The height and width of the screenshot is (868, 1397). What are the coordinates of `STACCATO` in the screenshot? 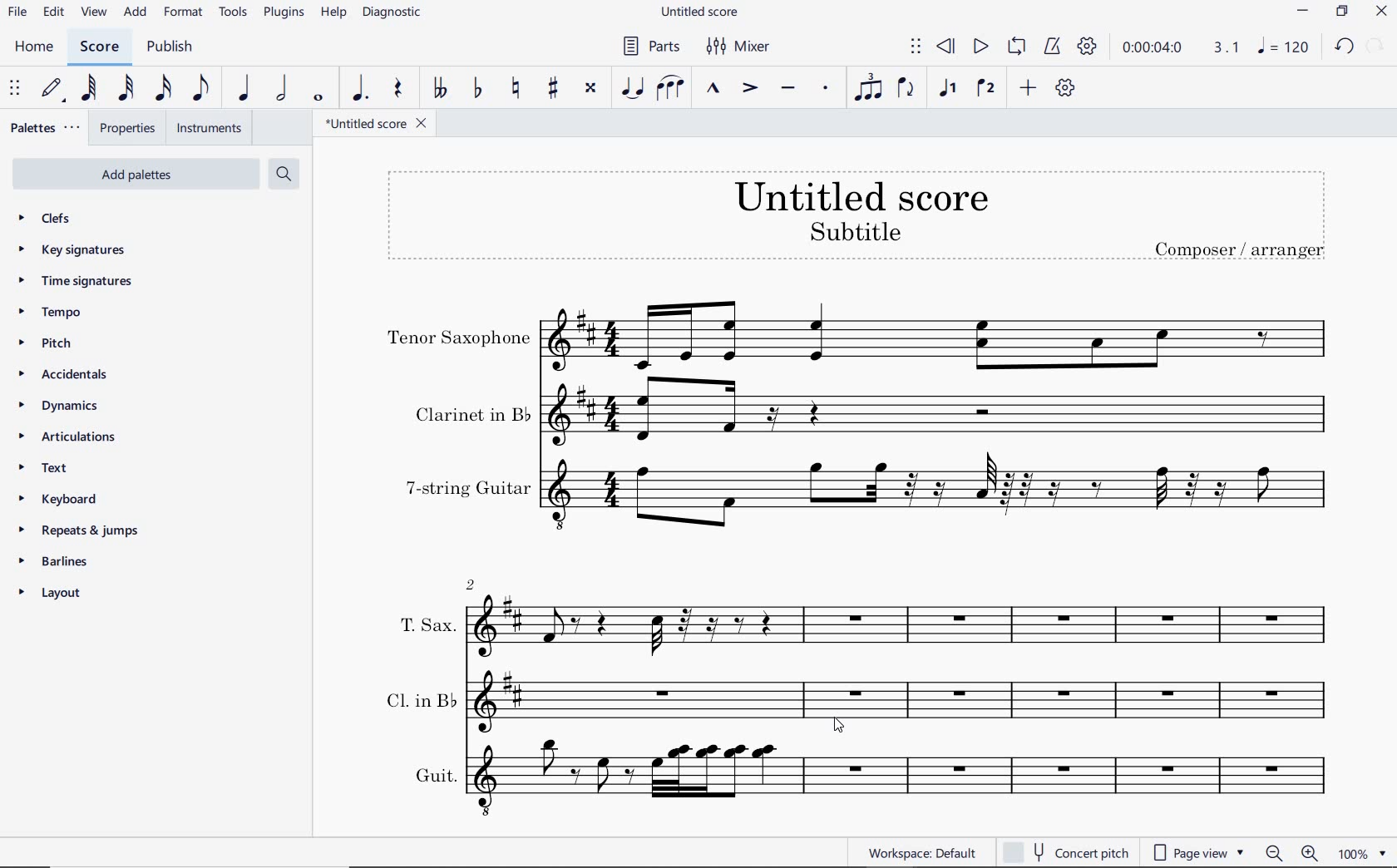 It's located at (827, 91).